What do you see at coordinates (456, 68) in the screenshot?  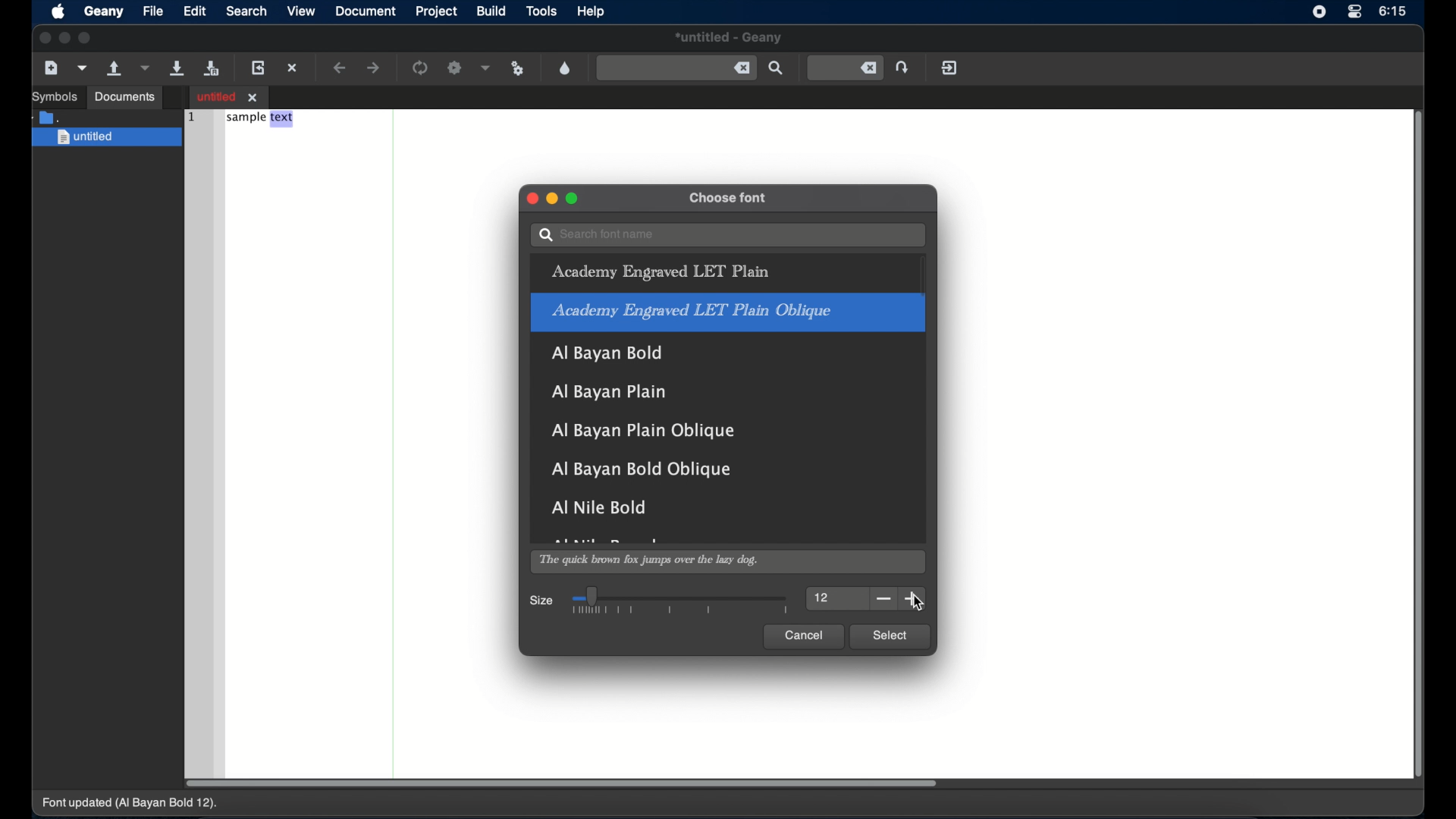 I see `build the current file` at bounding box center [456, 68].